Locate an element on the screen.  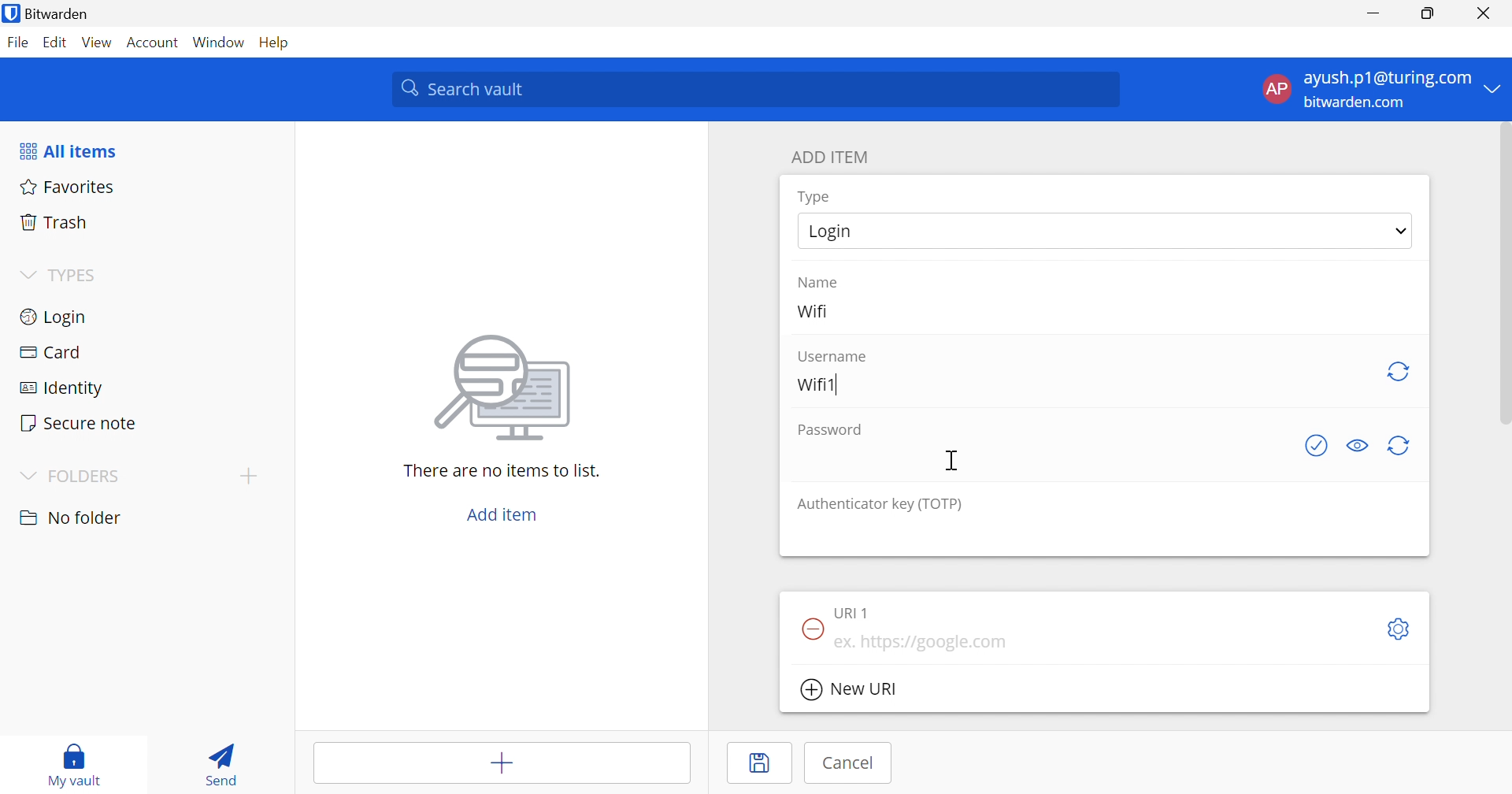
Login is located at coordinates (838, 231).